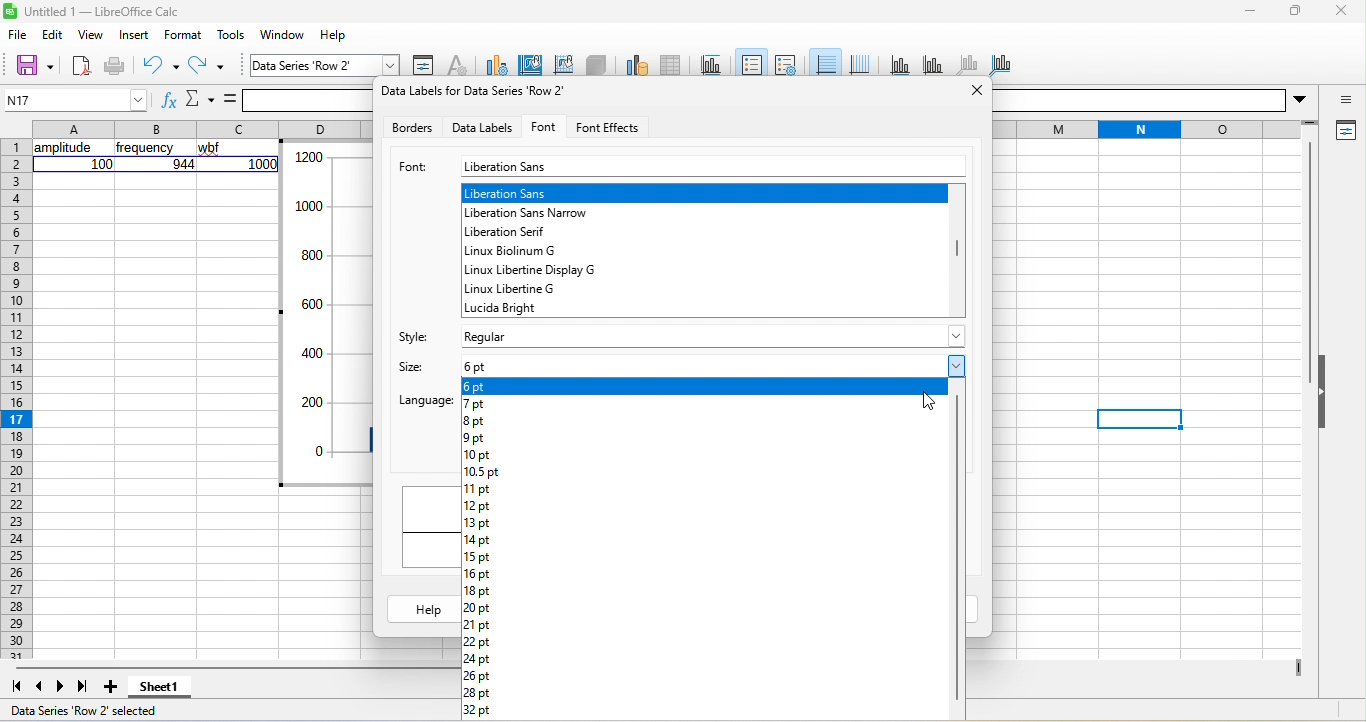 This screenshot has height=722, width=1366. What do you see at coordinates (198, 101) in the screenshot?
I see `select function` at bounding box center [198, 101].